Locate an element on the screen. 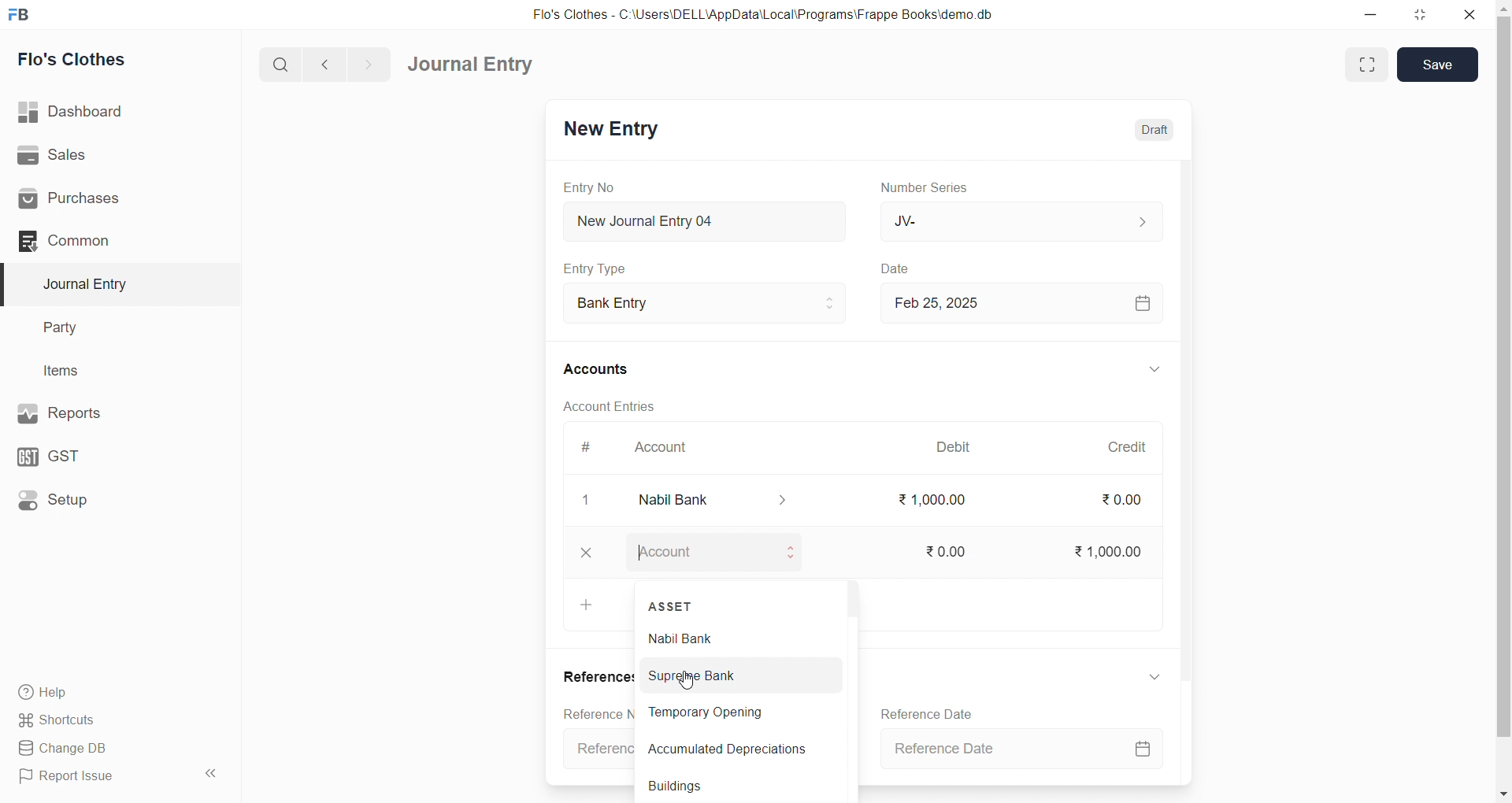 This screenshot has height=803, width=1512. Supreme Bank is located at coordinates (732, 676).